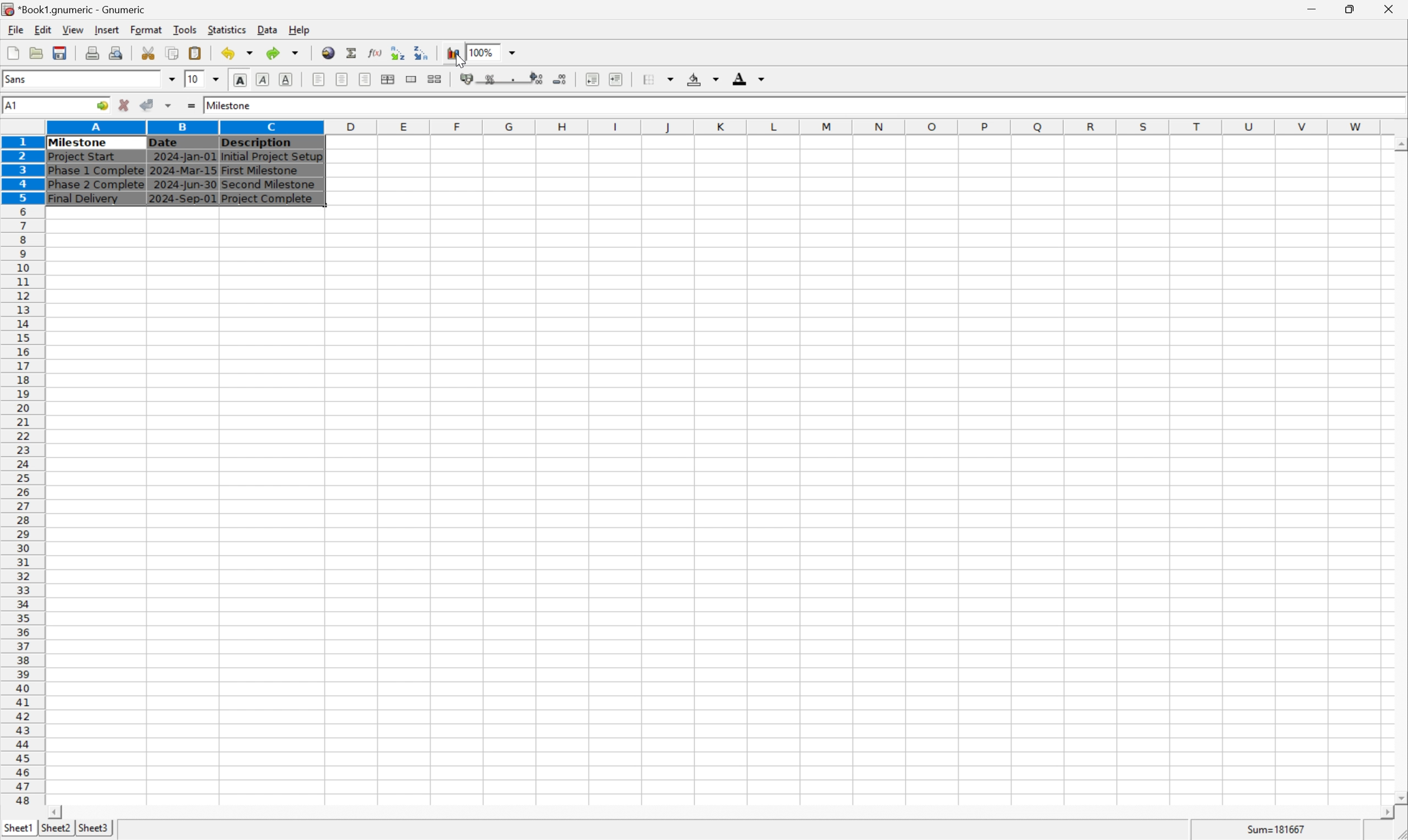 This screenshot has height=840, width=1408. I want to click on Set the format of the selected cells to include a thousands separator, so click(516, 79).